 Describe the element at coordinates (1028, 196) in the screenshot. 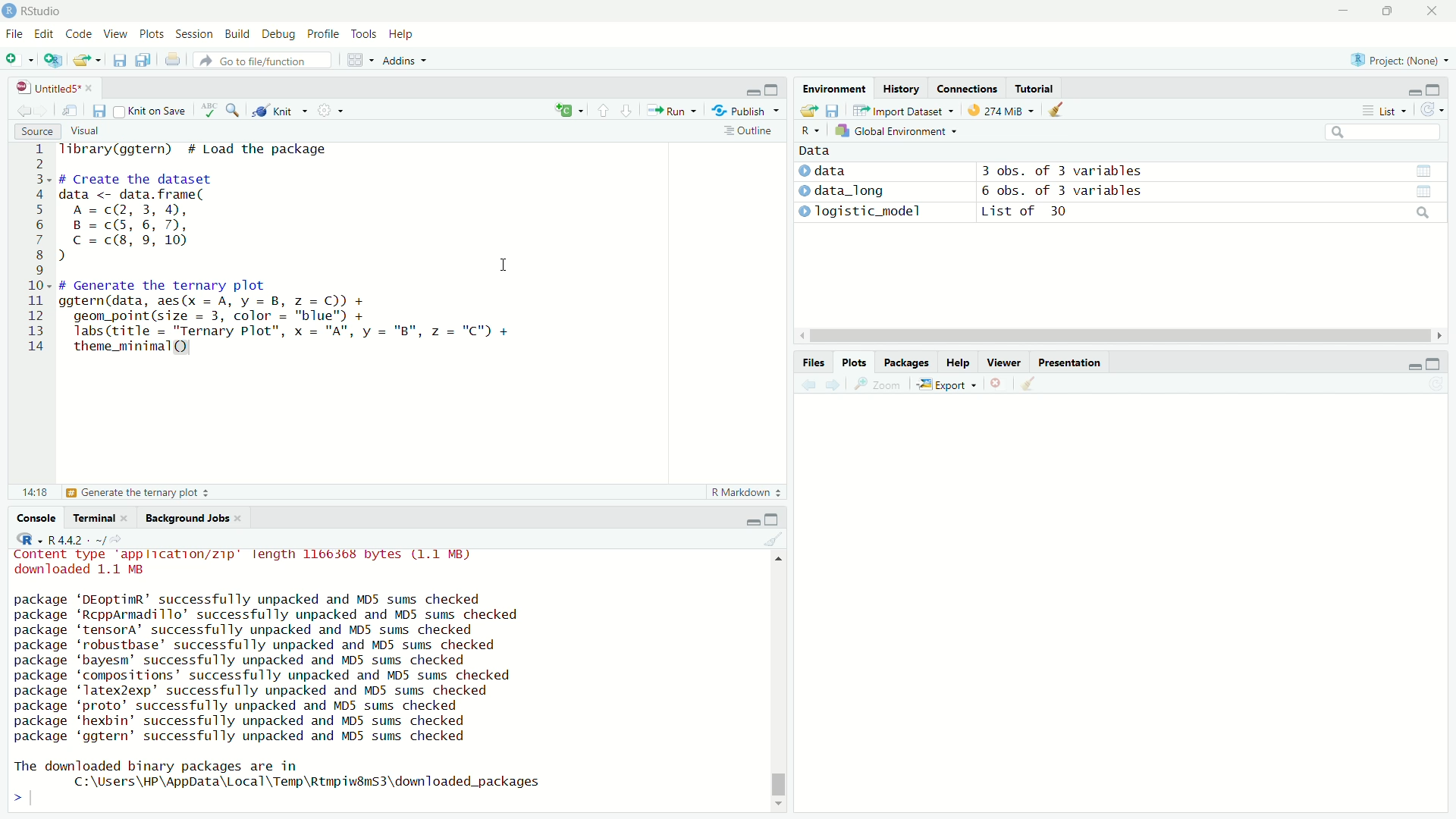

I see `) data 3 obs. of 3 variables
) data_Tong 6 obs. of 3 variables
) Togistic_model List of 30` at that location.